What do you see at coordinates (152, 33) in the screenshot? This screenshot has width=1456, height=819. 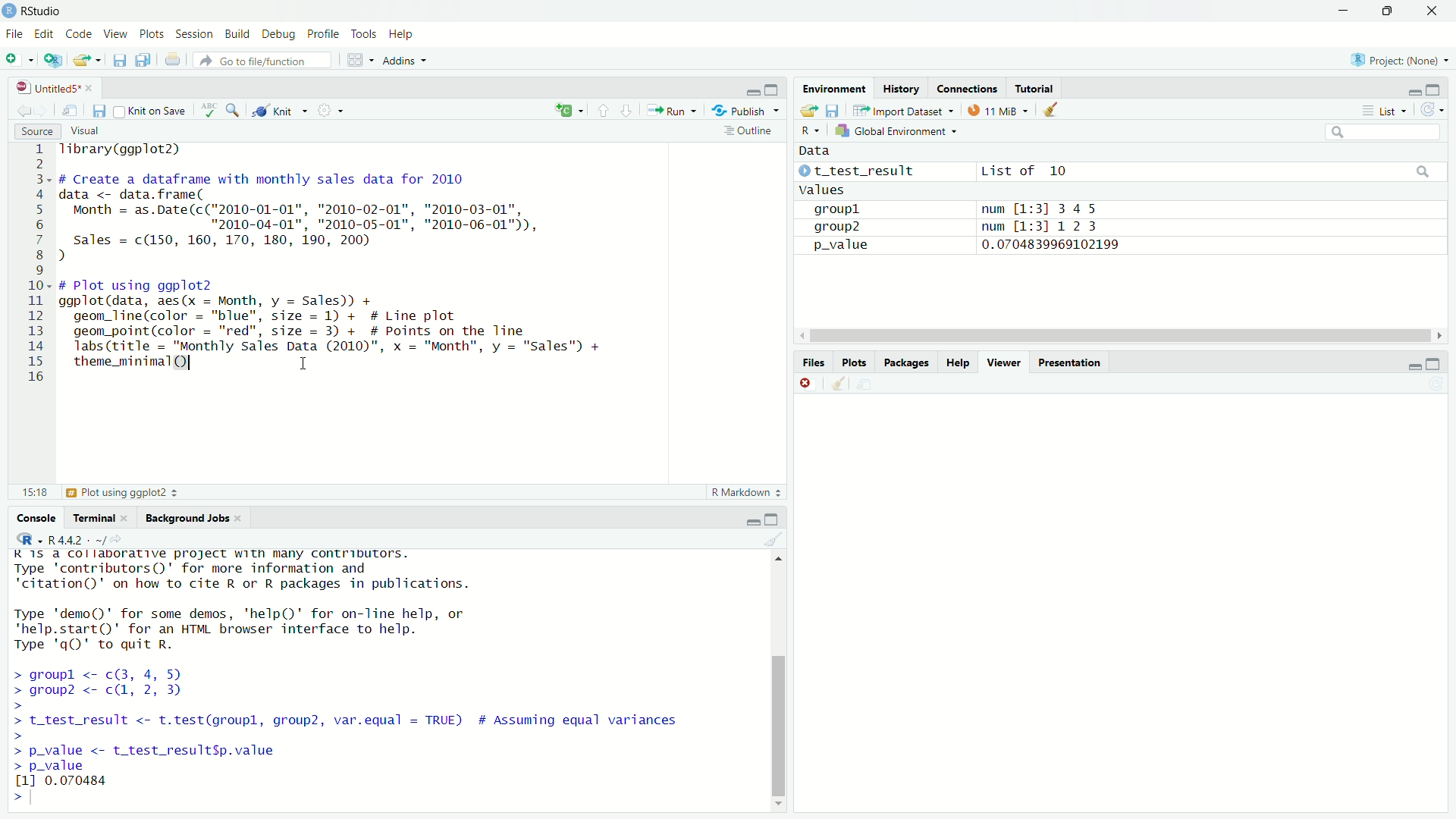 I see `Plots` at bounding box center [152, 33].